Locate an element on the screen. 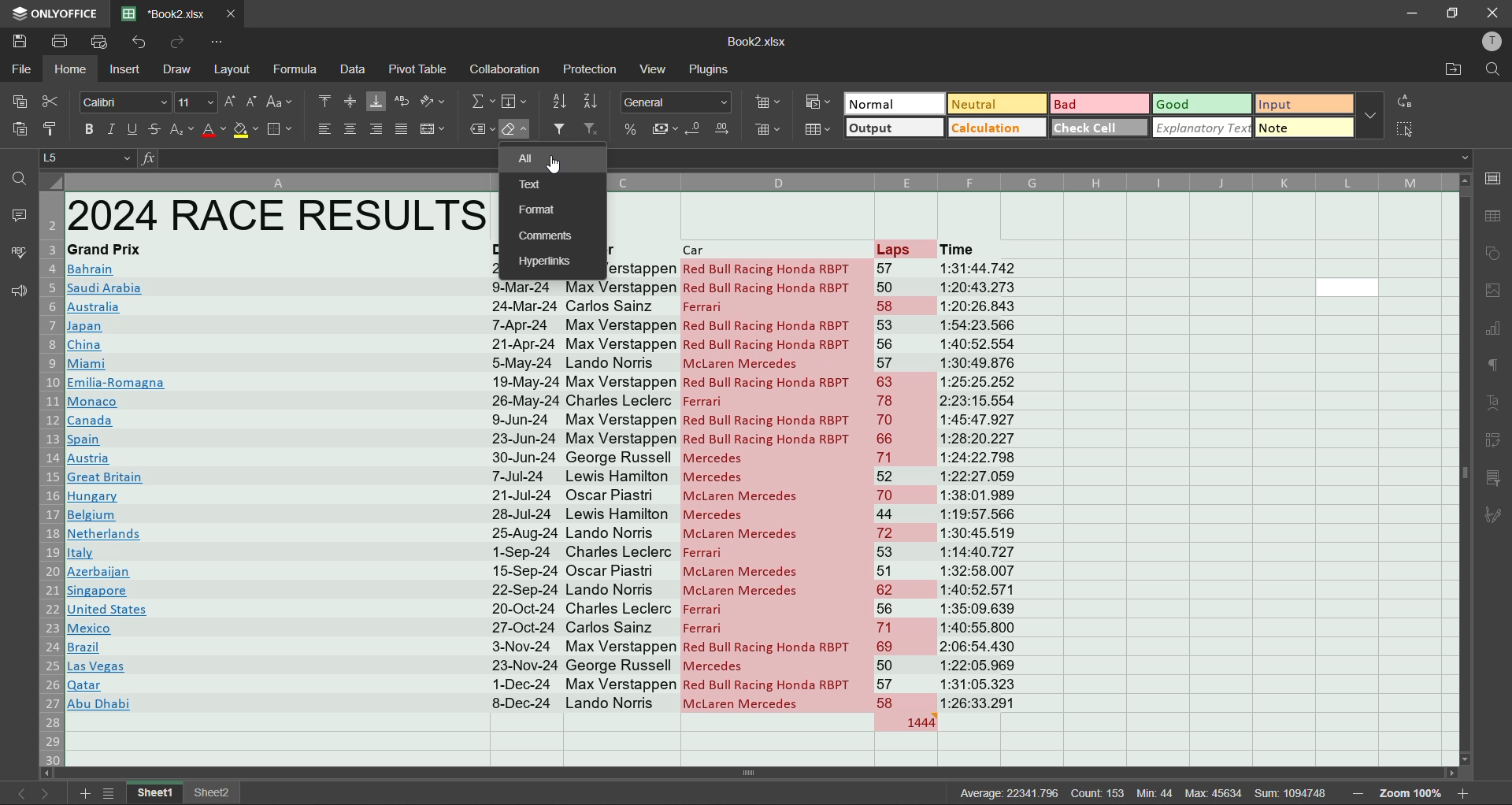 This screenshot has height=805, width=1512. input is located at coordinates (1299, 104).